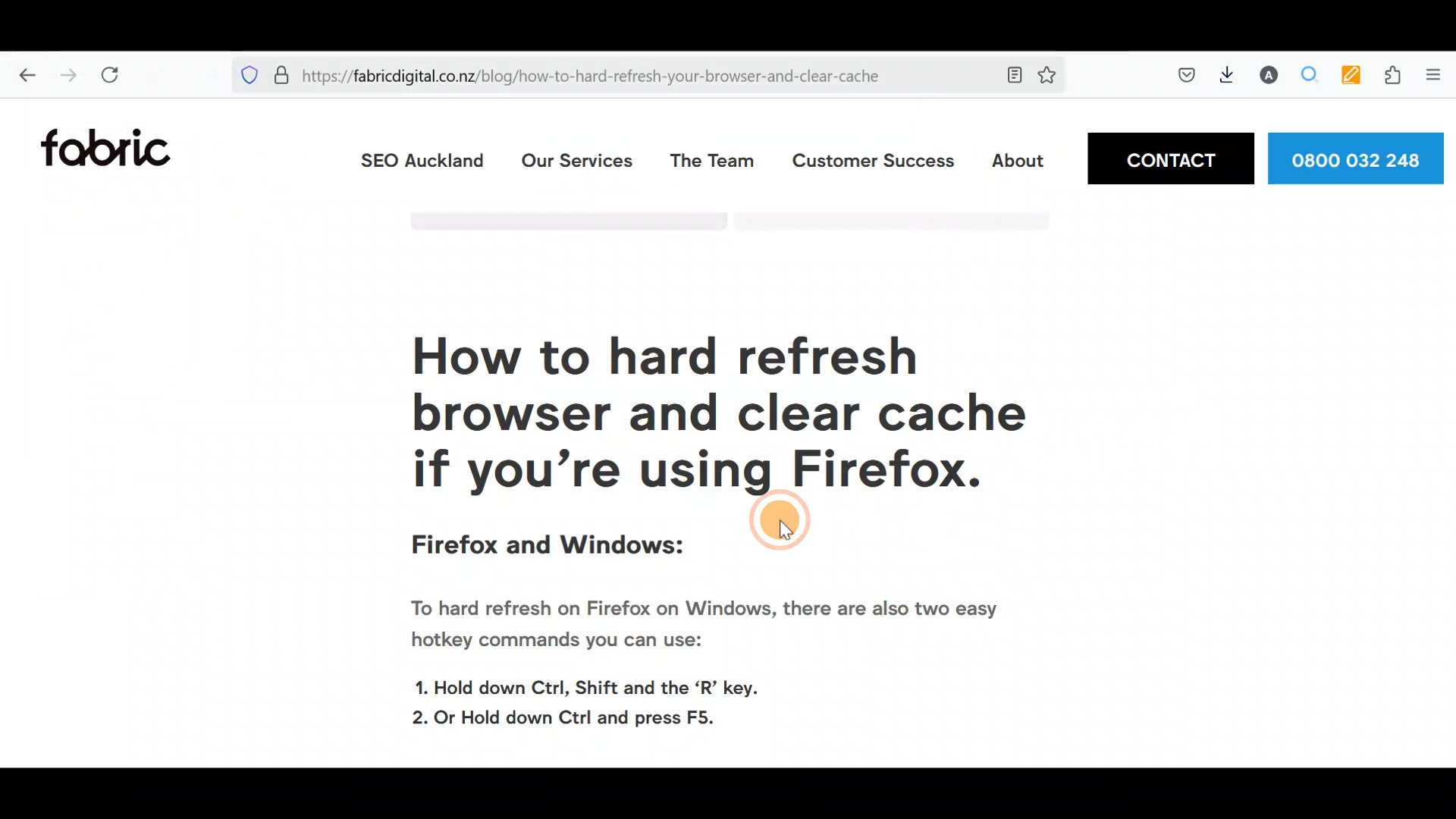  Describe the element at coordinates (1169, 158) in the screenshot. I see `Contact` at that location.